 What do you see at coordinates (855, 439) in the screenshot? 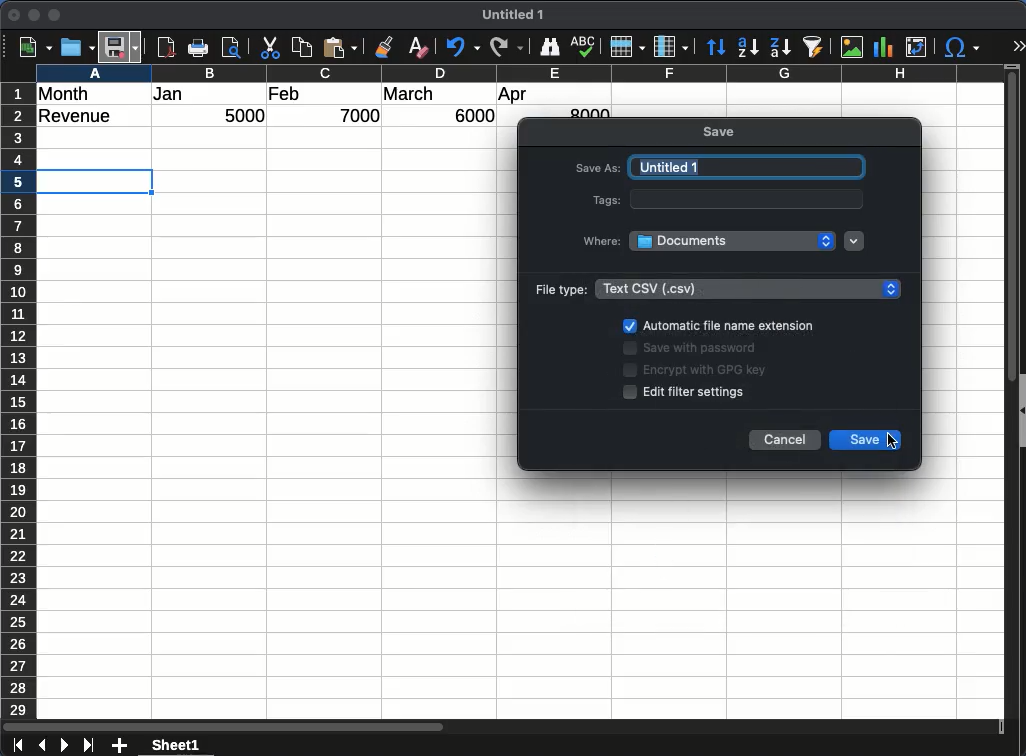
I see `Save` at bounding box center [855, 439].